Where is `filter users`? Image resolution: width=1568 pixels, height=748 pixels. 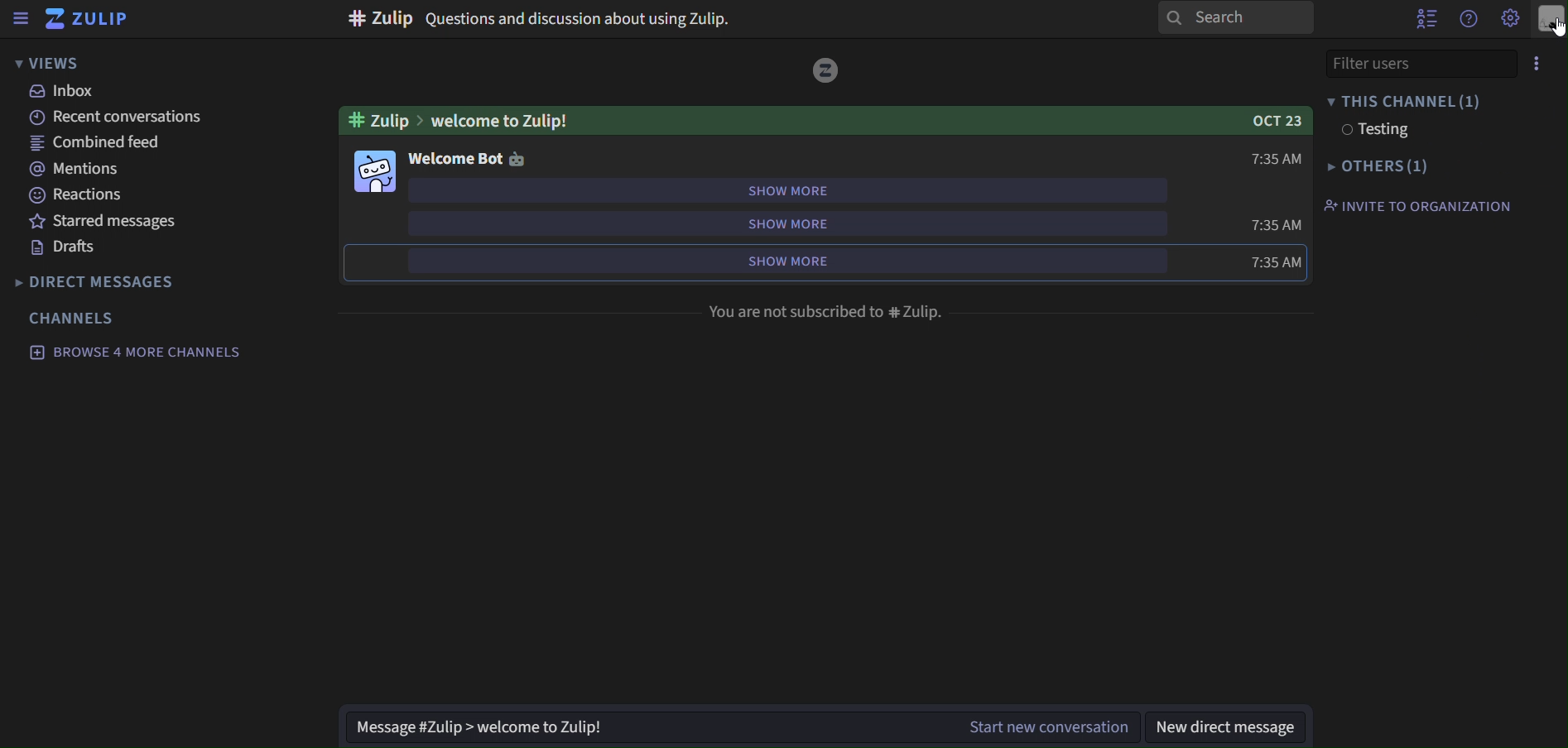
filter users is located at coordinates (1417, 63).